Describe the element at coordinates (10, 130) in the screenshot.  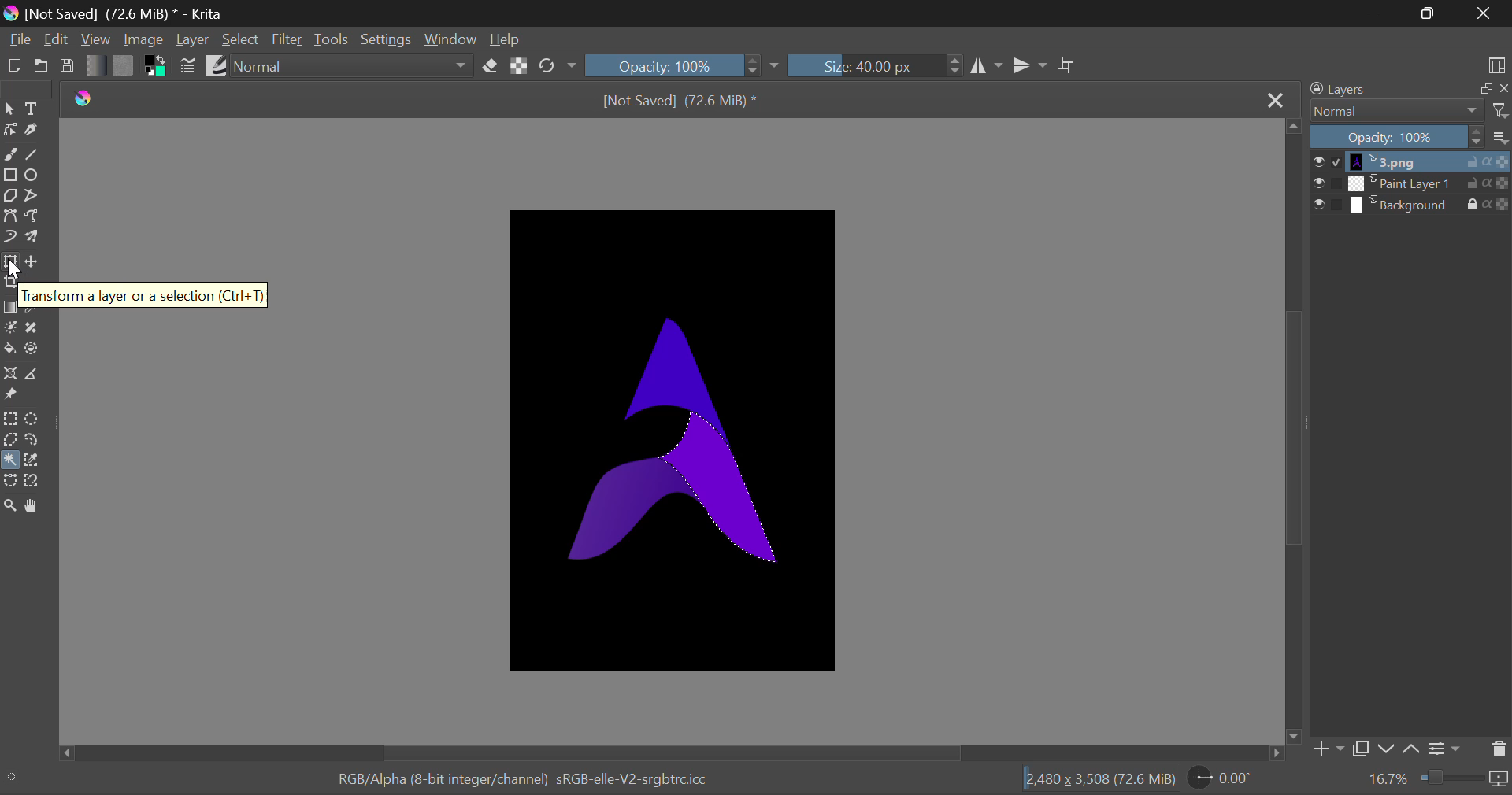
I see `Edit Shape` at that location.